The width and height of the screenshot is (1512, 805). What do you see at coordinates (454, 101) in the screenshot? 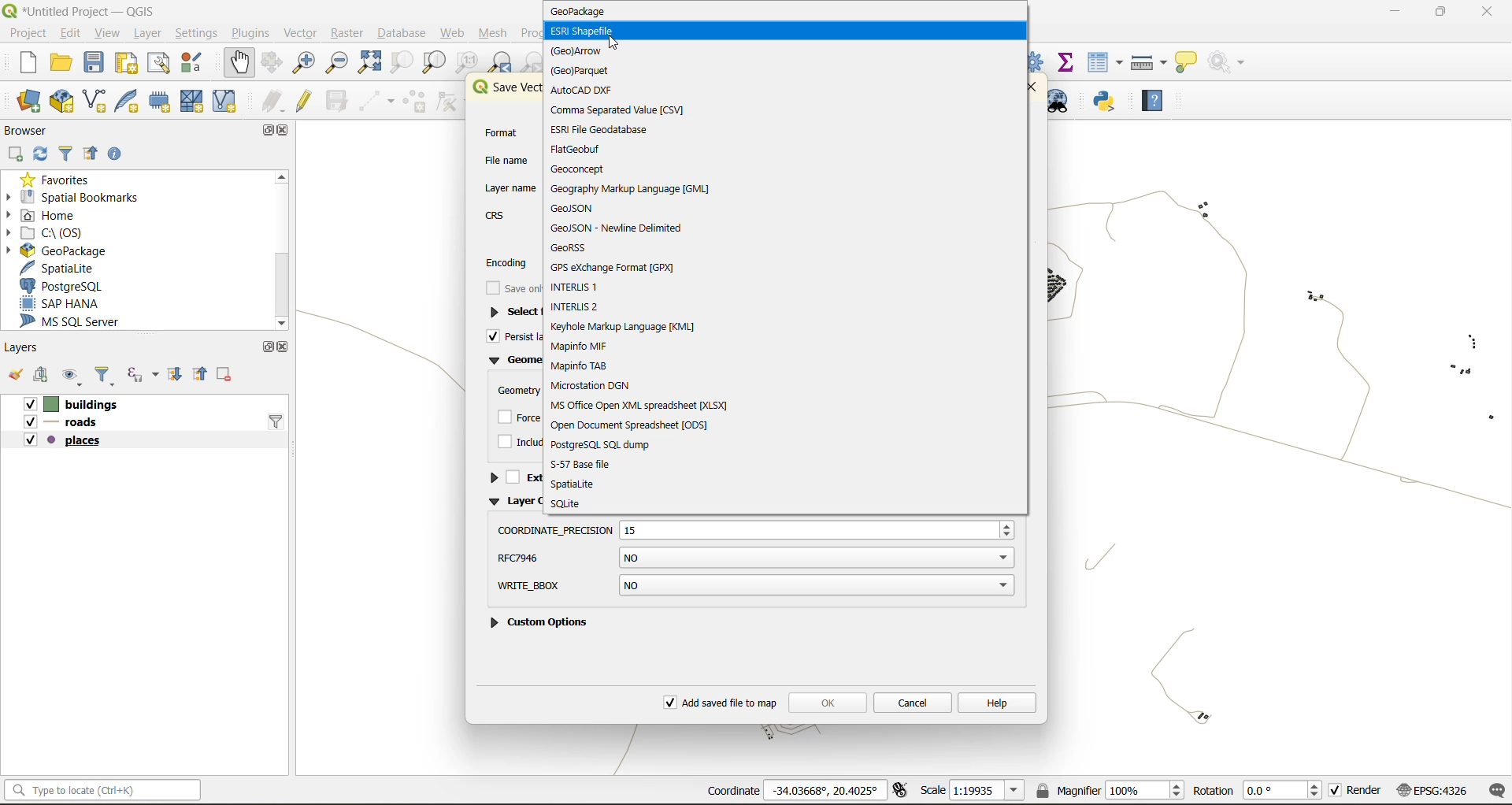
I see `vertex tools` at bounding box center [454, 101].